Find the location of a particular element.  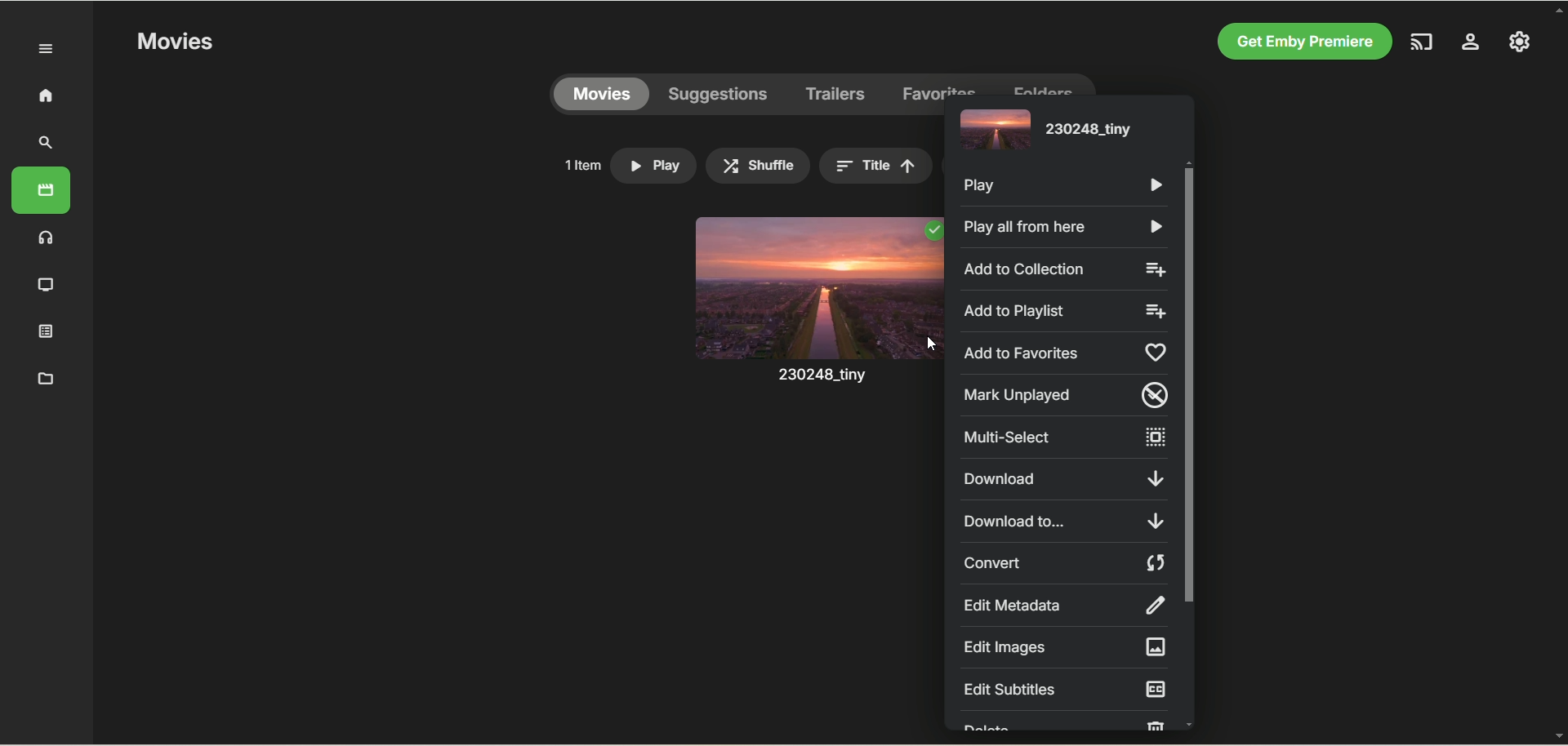

edit images is located at coordinates (1062, 647).